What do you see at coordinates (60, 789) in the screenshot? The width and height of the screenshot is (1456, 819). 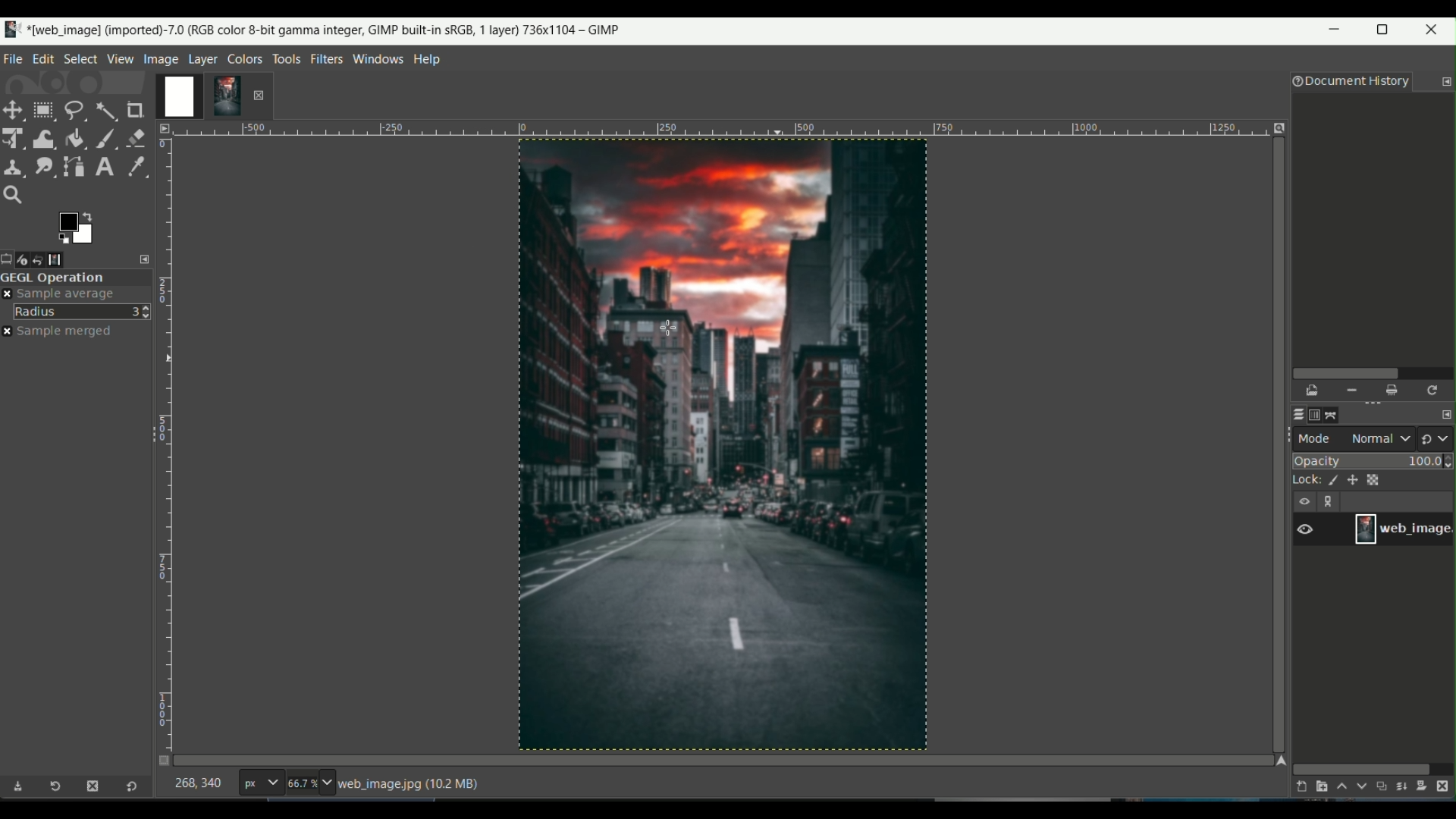 I see `restore tool preset` at bounding box center [60, 789].